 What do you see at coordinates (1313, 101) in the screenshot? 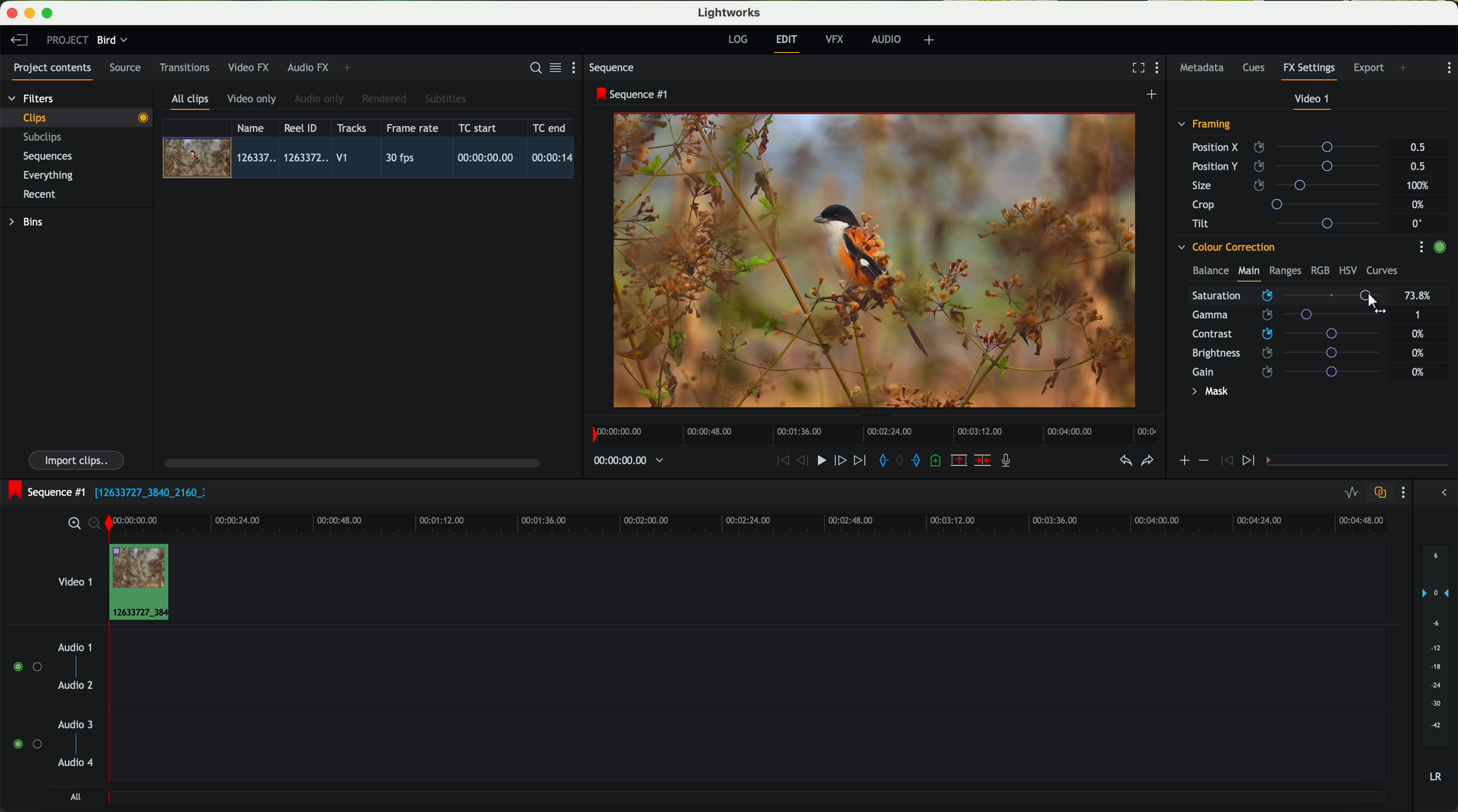
I see `video 1` at bounding box center [1313, 101].